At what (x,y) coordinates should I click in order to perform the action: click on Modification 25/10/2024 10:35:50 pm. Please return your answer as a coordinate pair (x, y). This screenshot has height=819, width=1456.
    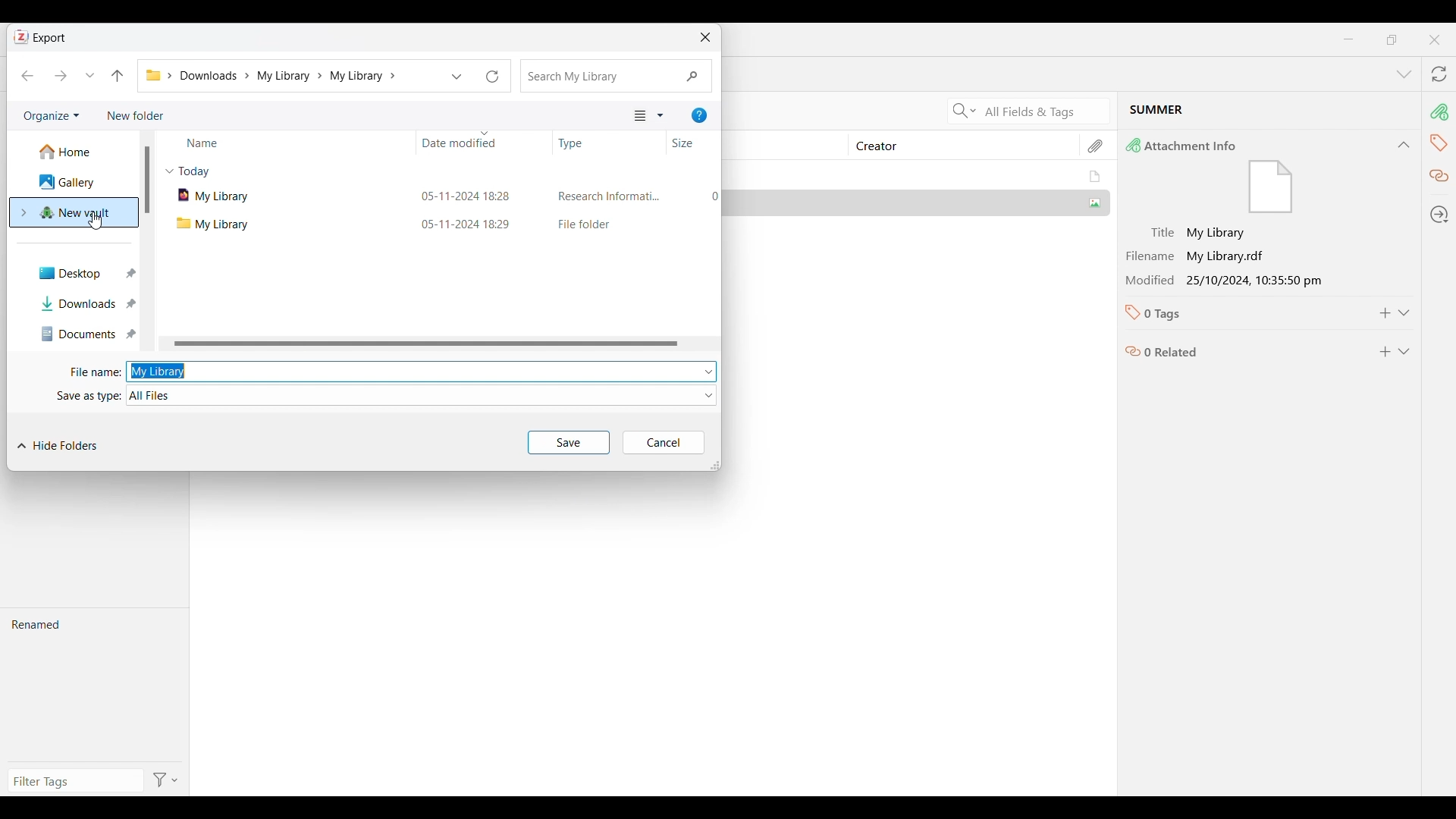
    Looking at the image, I should click on (1241, 280).